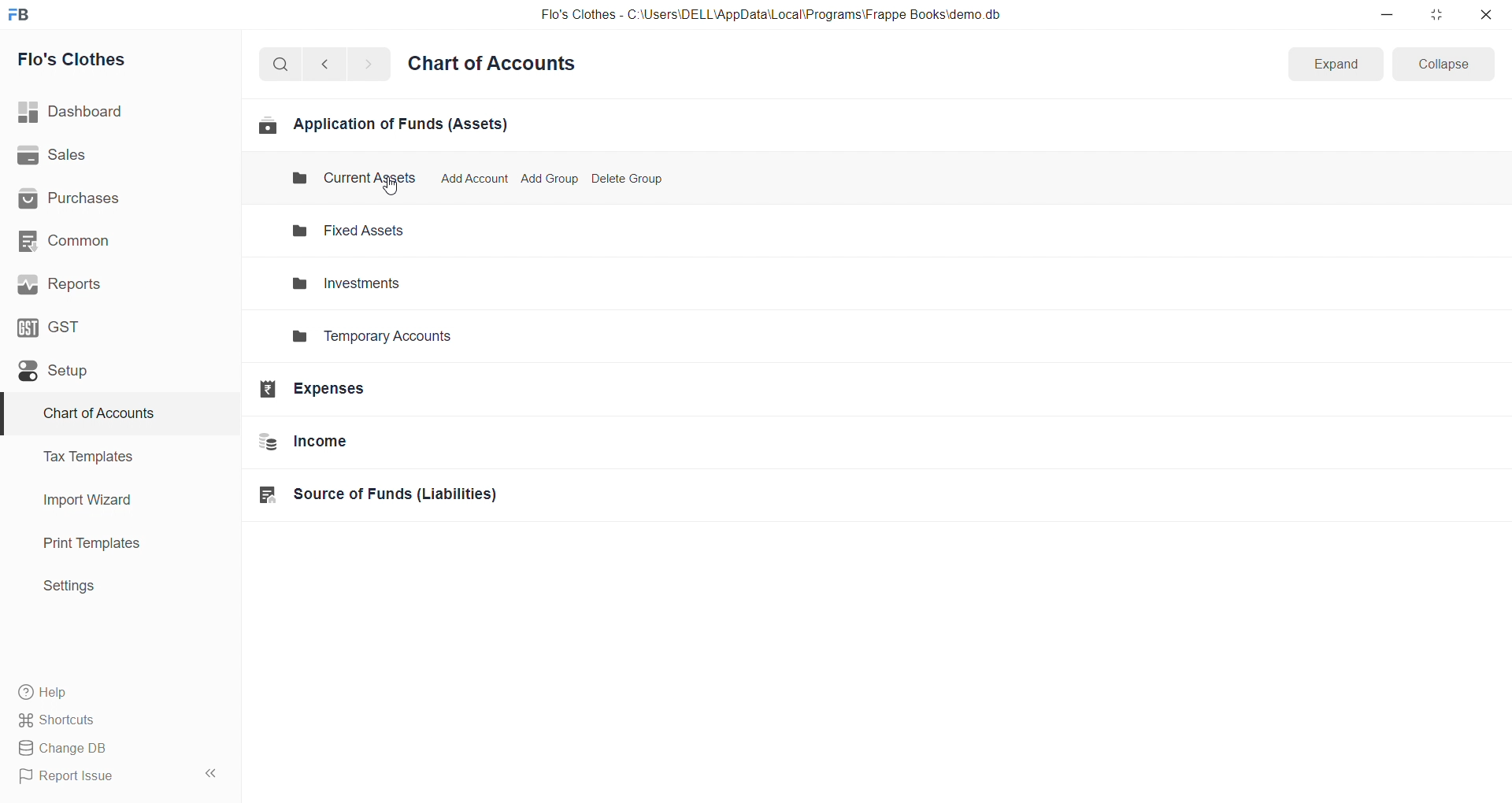 The height and width of the screenshot is (803, 1512). What do you see at coordinates (111, 457) in the screenshot?
I see `Tax Templates` at bounding box center [111, 457].